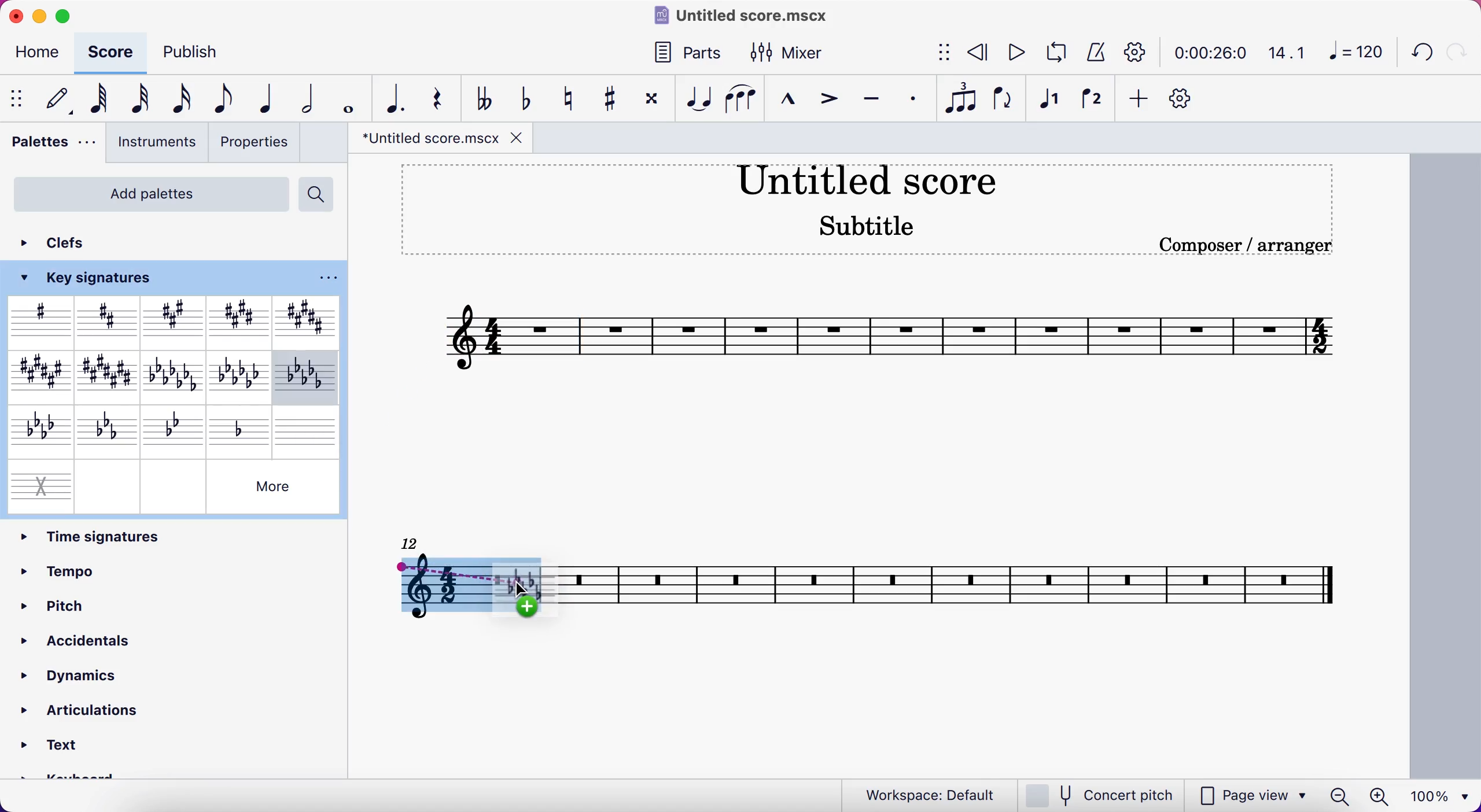 The height and width of the screenshot is (812, 1481). What do you see at coordinates (918, 99) in the screenshot?
I see `staccato` at bounding box center [918, 99].